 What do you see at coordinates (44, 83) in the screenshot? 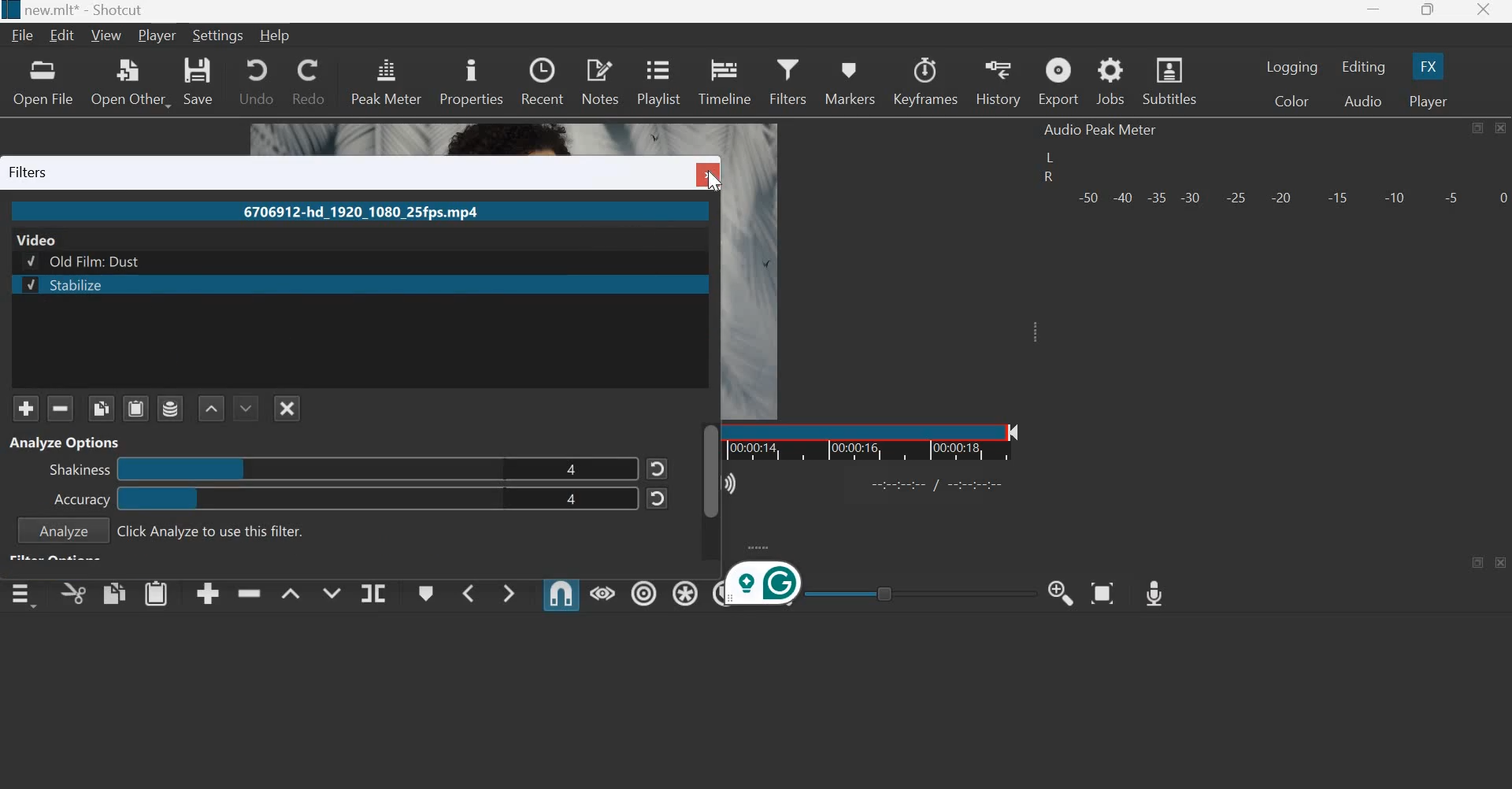
I see `` at bounding box center [44, 83].